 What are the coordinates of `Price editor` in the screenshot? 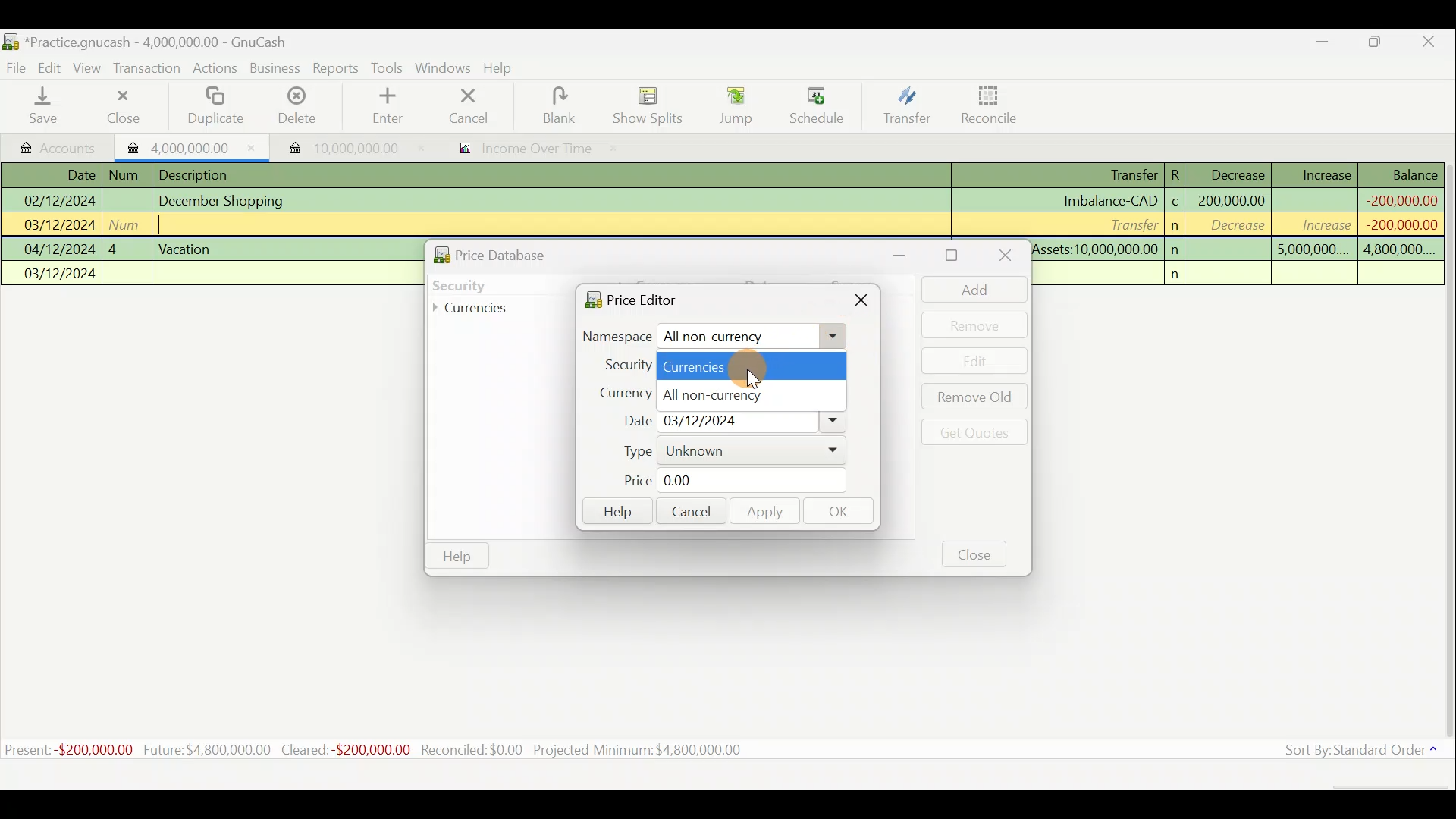 It's located at (626, 299).